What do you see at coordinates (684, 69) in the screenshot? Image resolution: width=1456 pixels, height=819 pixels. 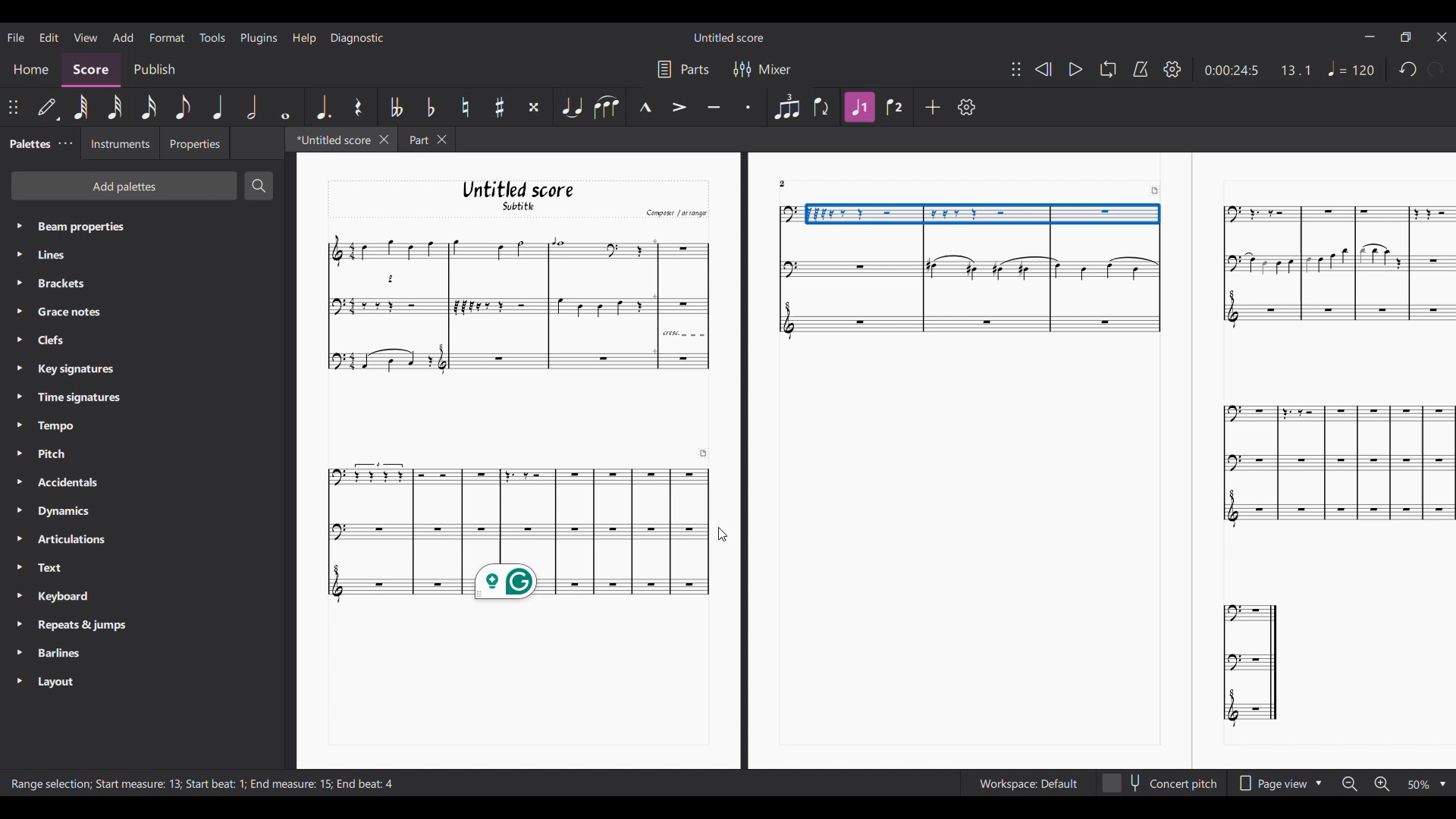 I see `Parts settings` at bounding box center [684, 69].